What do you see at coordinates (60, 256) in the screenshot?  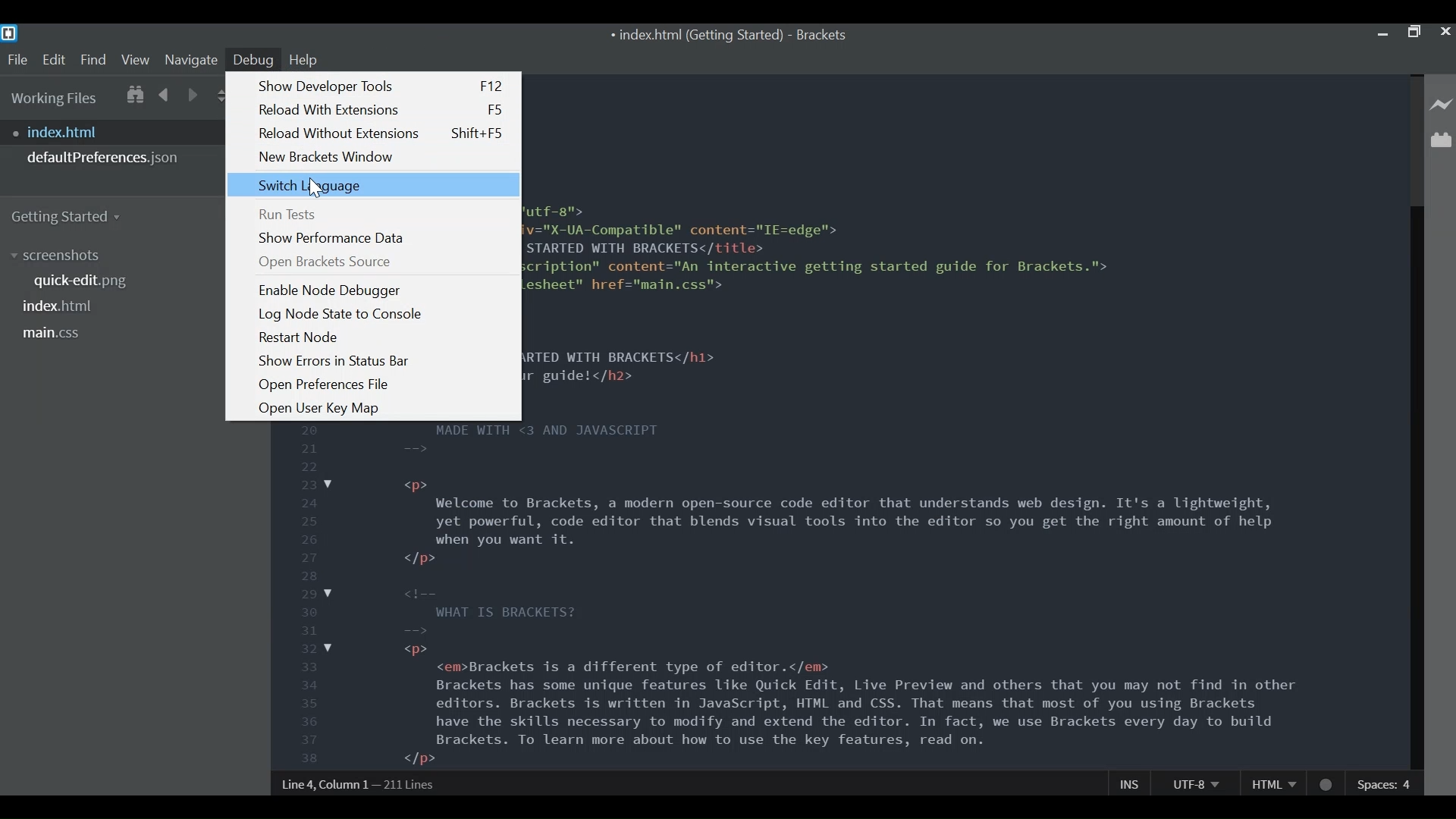 I see `screenshots` at bounding box center [60, 256].